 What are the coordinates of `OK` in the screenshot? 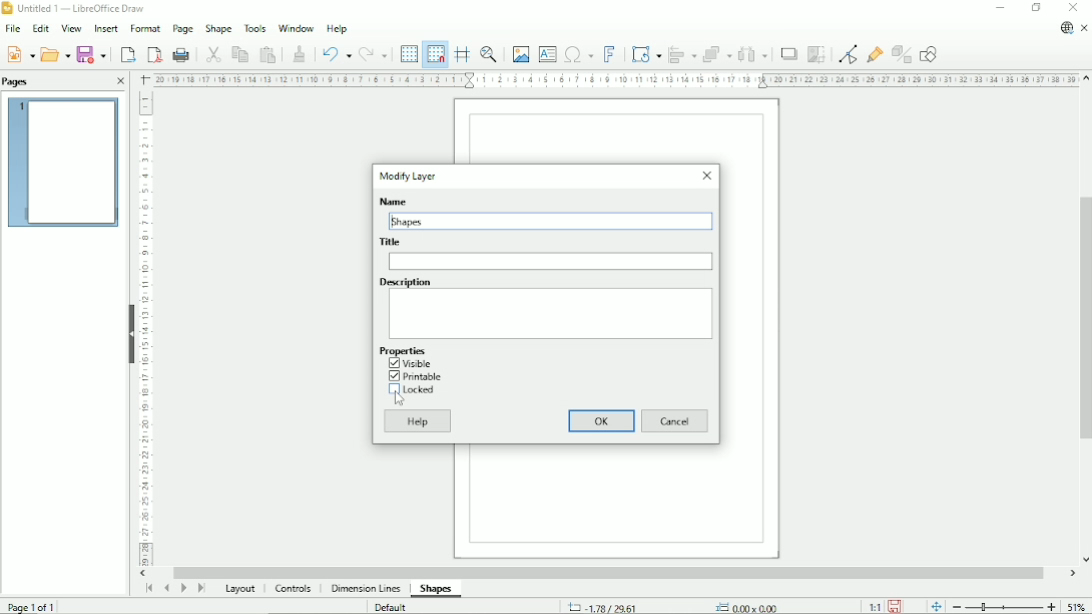 It's located at (602, 420).